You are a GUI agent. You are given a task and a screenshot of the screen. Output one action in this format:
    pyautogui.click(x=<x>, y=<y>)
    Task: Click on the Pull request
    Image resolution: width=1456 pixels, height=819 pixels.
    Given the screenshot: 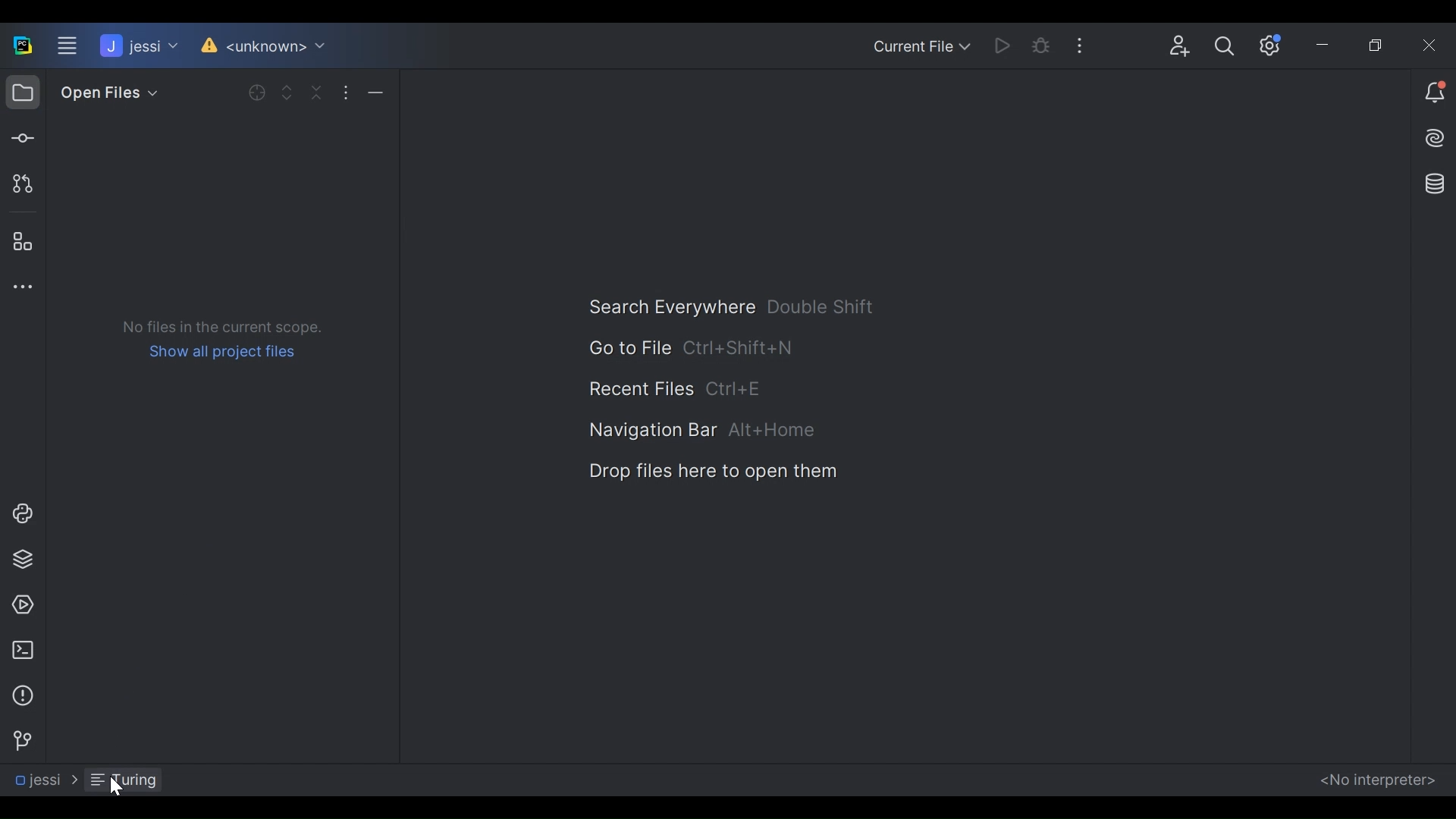 What is the action you would take?
    pyautogui.click(x=20, y=183)
    